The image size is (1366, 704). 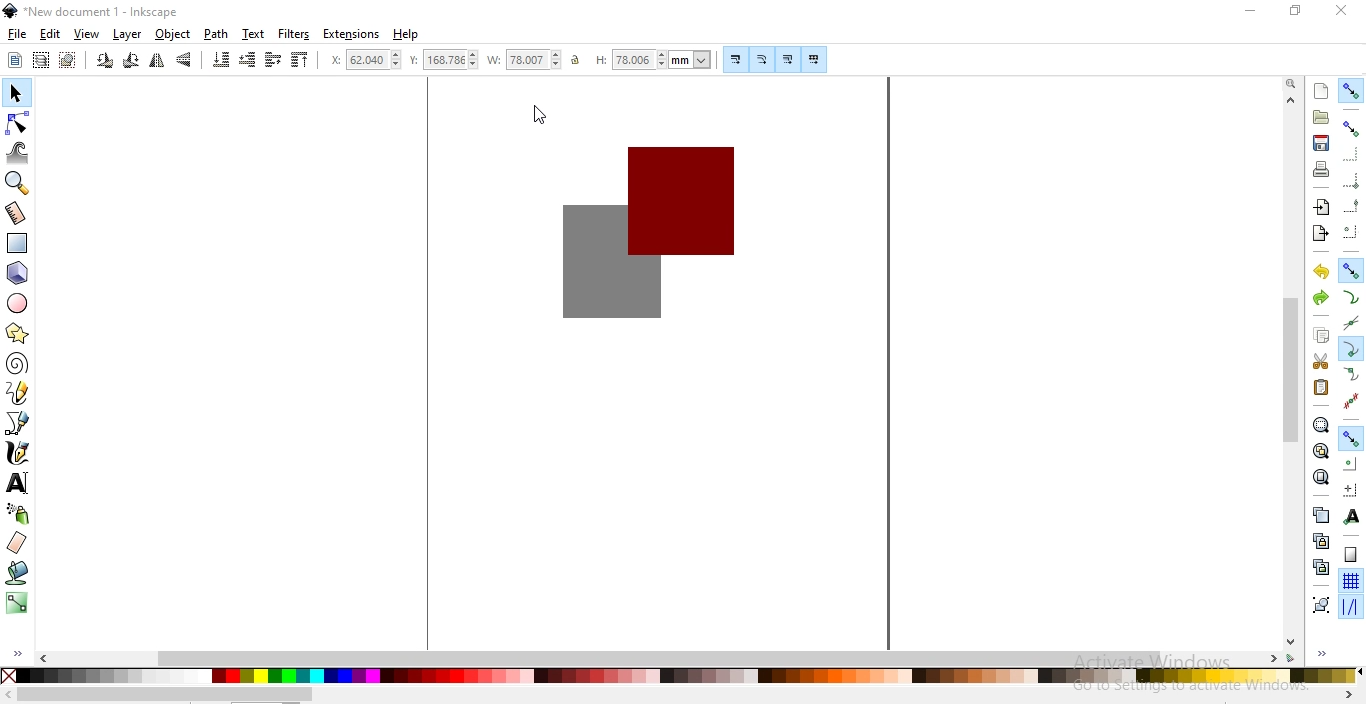 What do you see at coordinates (1352, 490) in the screenshot?
I see `snap an items rotation` at bounding box center [1352, 490].